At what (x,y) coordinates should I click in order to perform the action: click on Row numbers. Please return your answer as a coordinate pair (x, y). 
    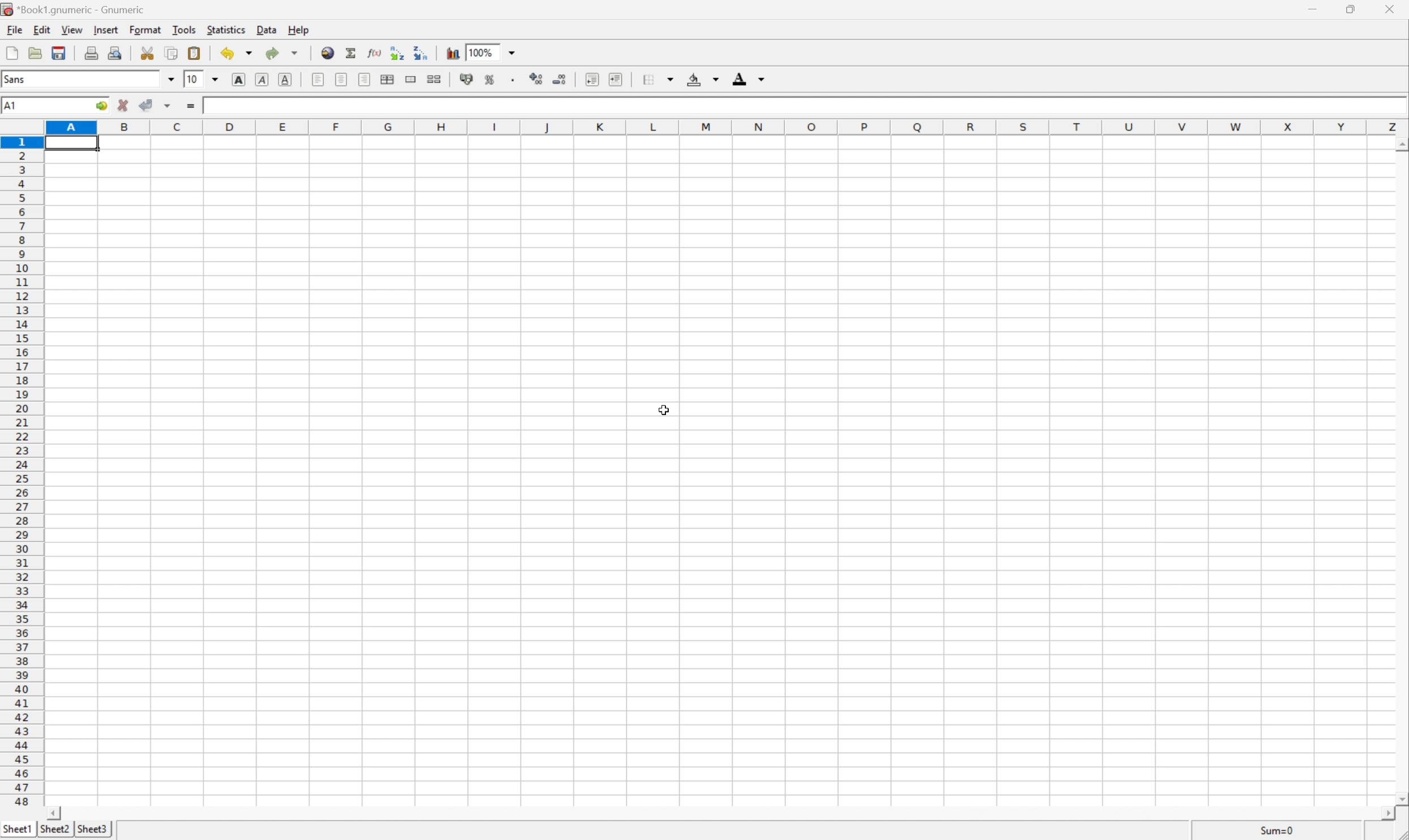
    Looking at the image, I should click on (21, 471).